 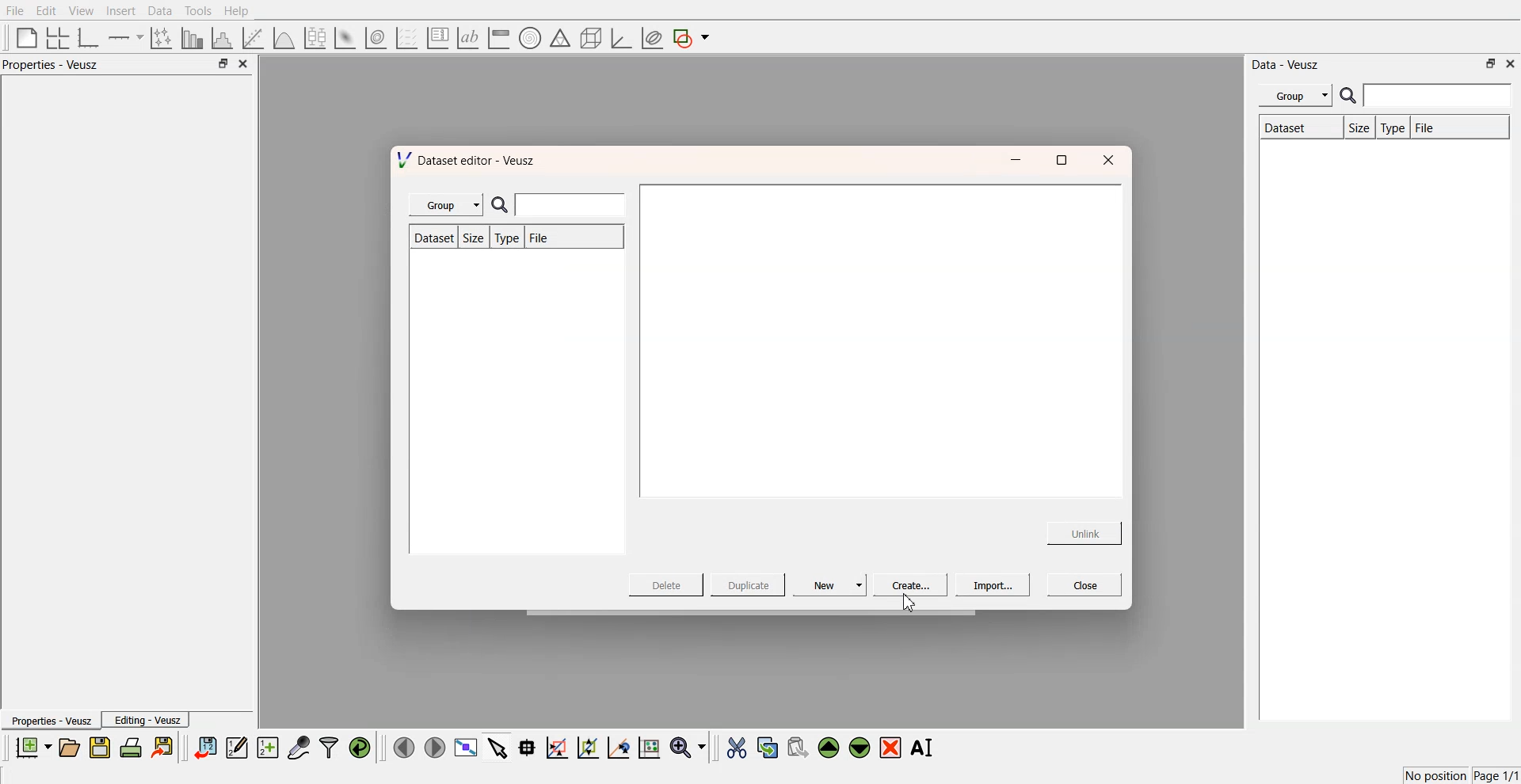 I want to click on search icon, so click(x=503, y=206).